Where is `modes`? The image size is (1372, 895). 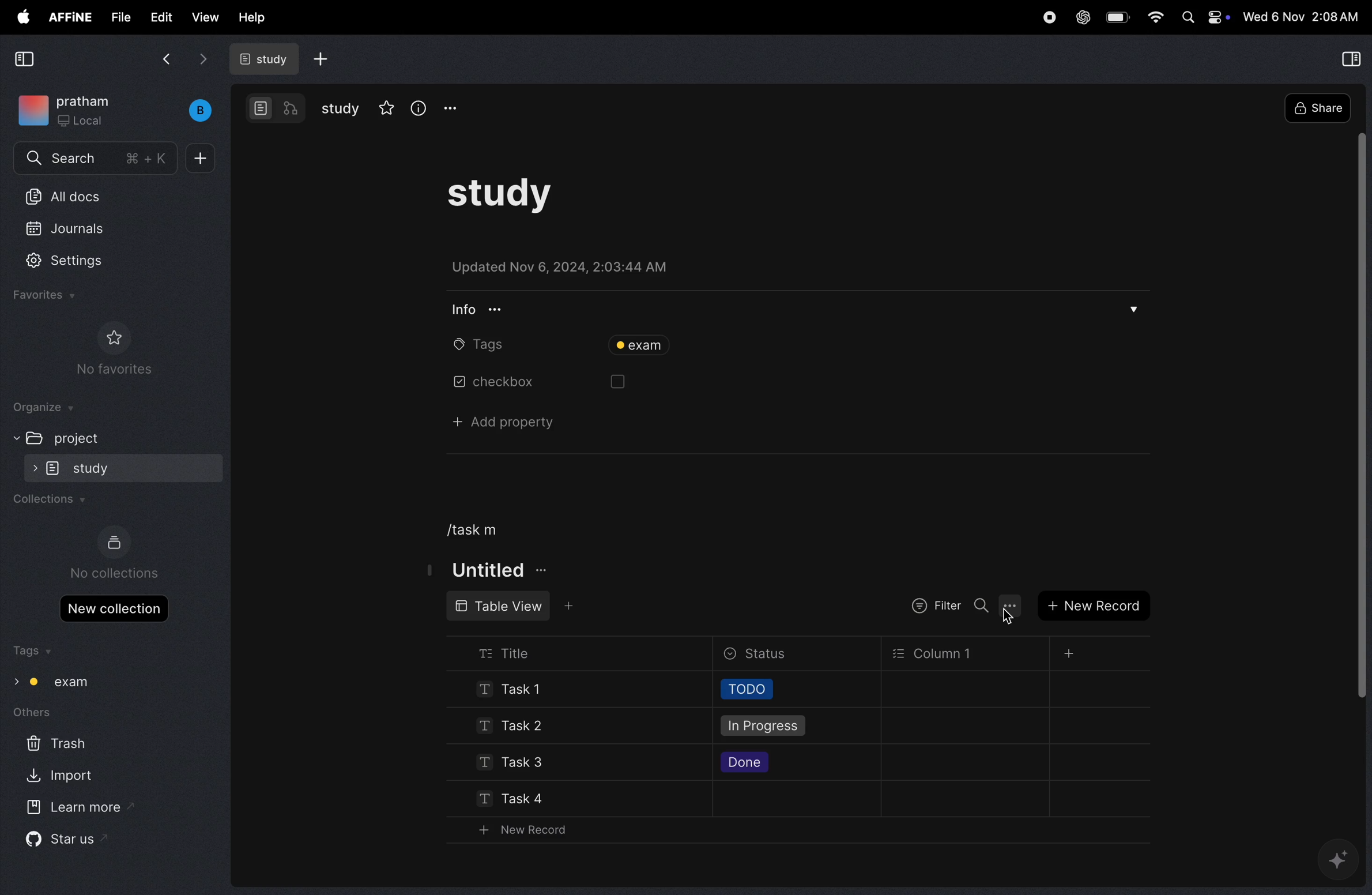 modes is located at coordinates (277, 110).